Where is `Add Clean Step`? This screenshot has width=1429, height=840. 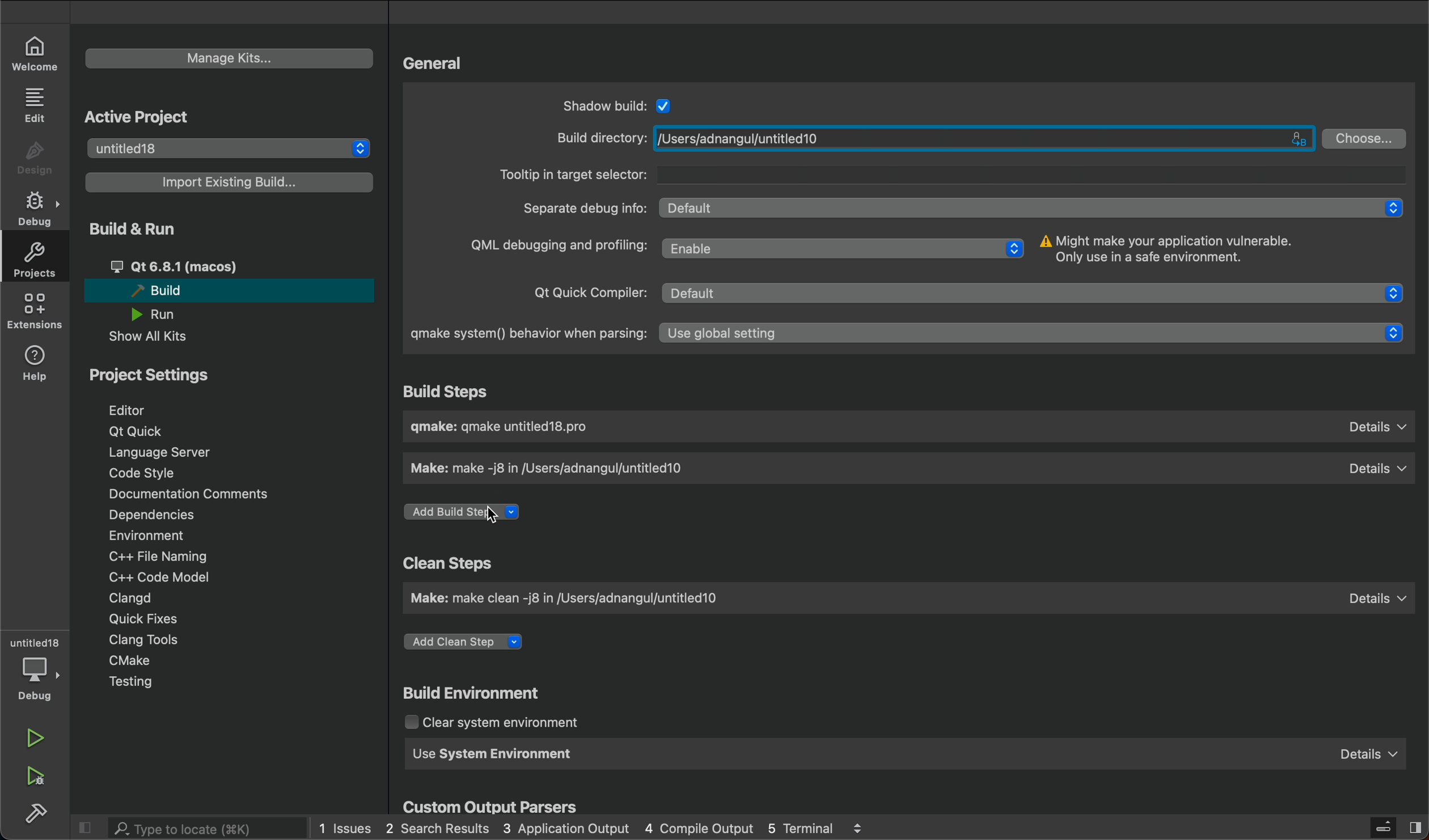
Add Clean Step is located at coordinates (466, 642).